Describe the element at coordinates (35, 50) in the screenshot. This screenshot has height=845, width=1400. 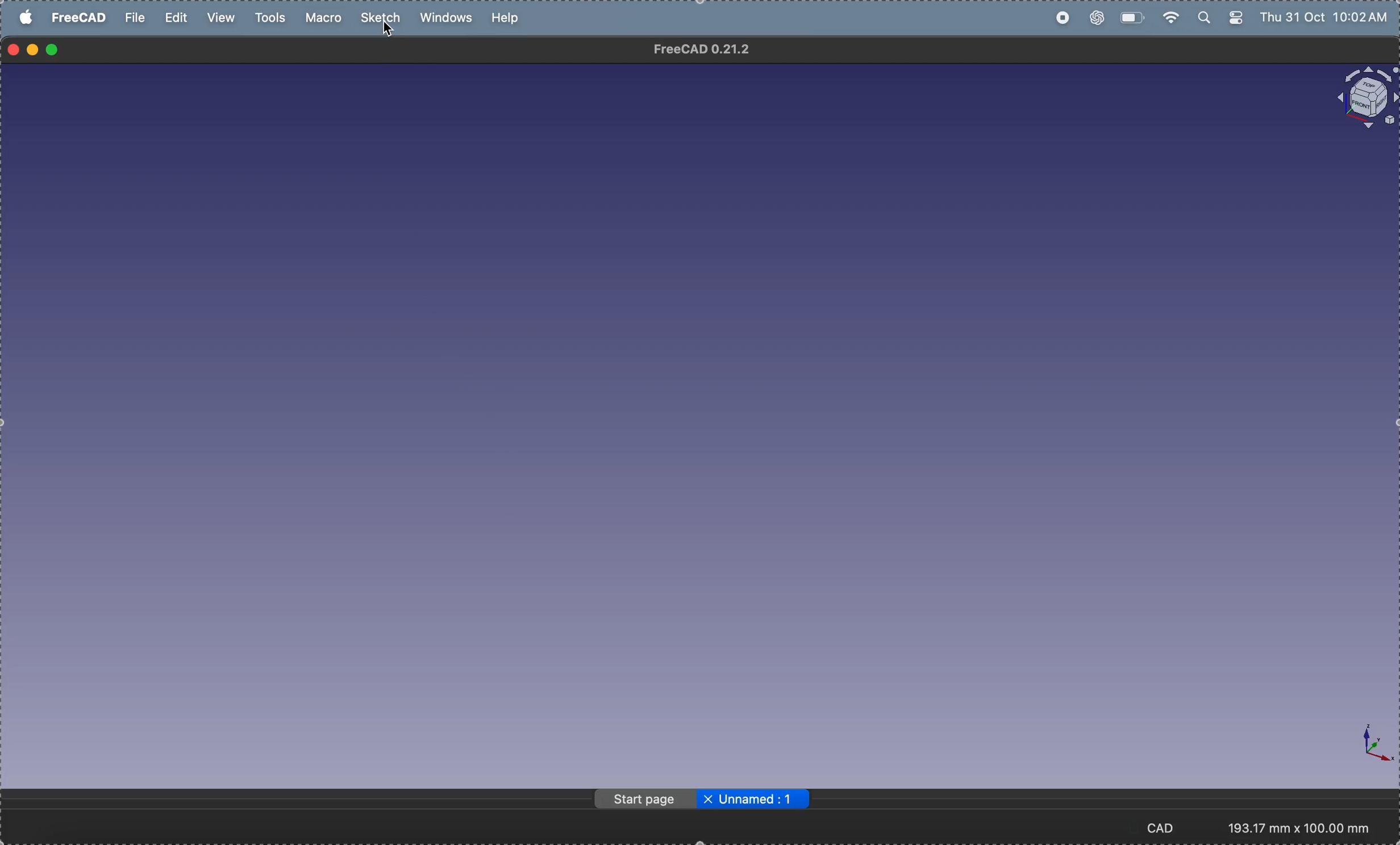
I see `minimize` at that location.